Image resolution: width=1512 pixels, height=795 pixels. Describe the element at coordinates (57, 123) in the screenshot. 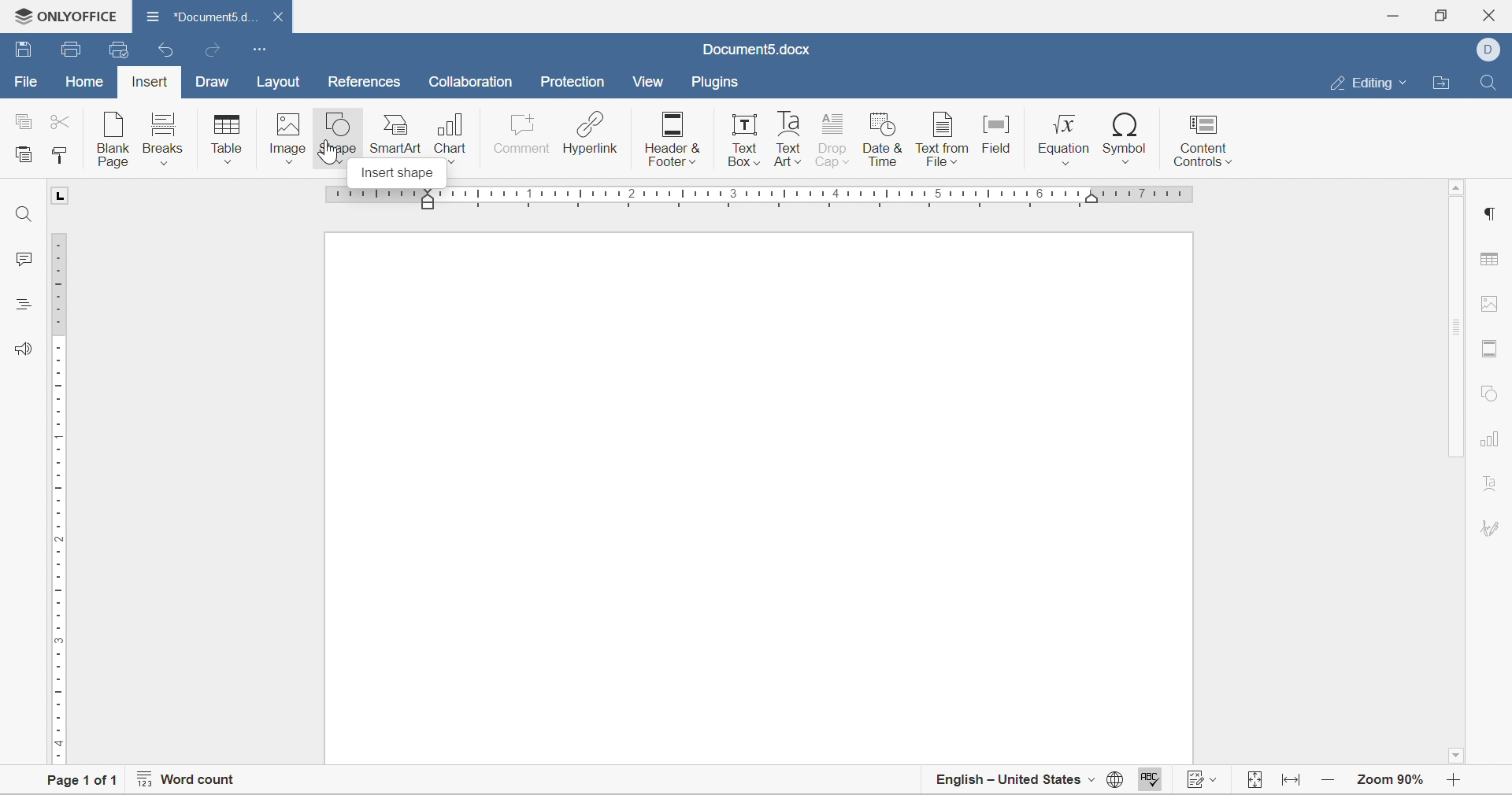

I see `cut` at that location.